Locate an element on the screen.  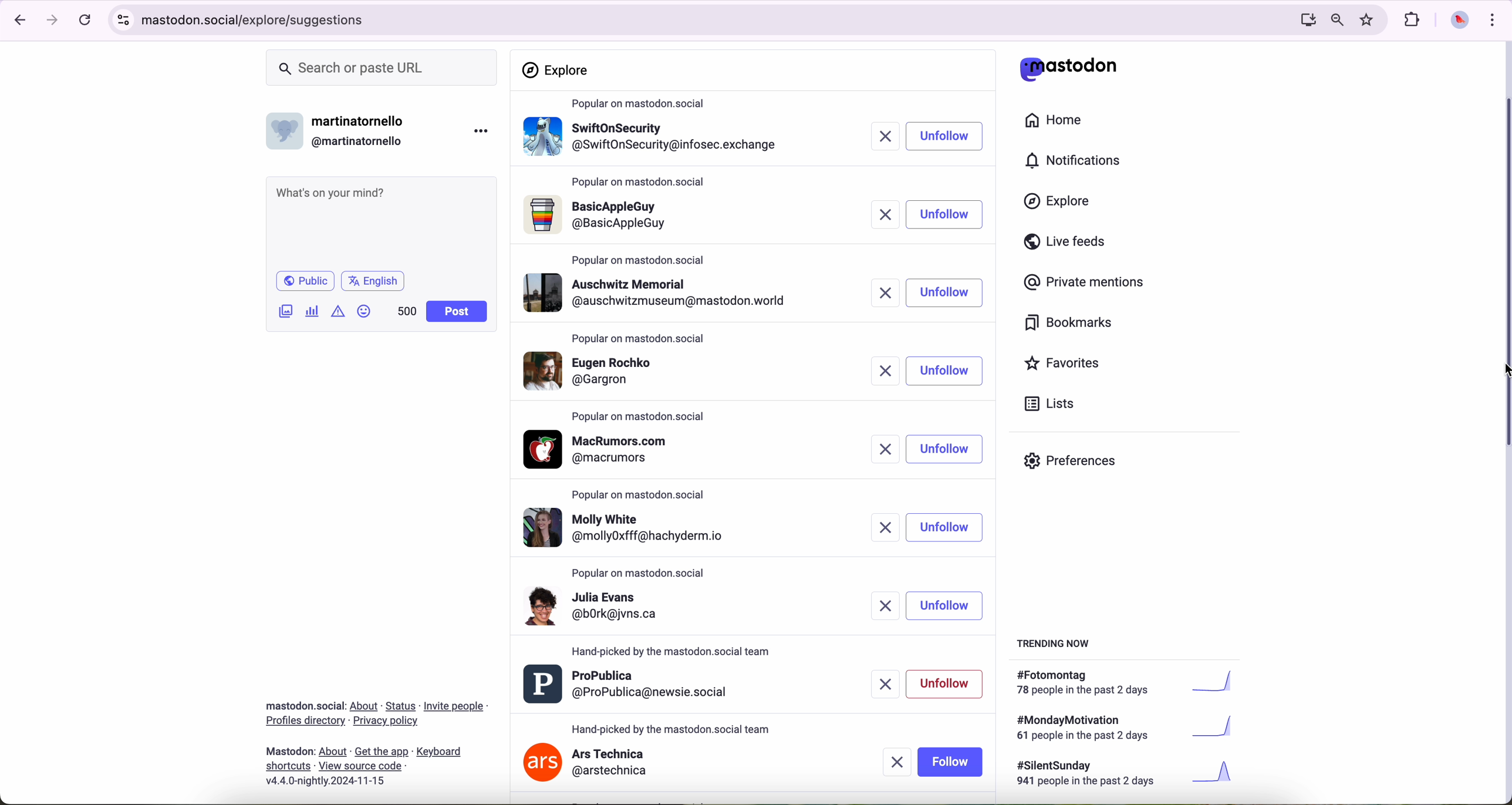
remove is located at coordinates (880, 213).